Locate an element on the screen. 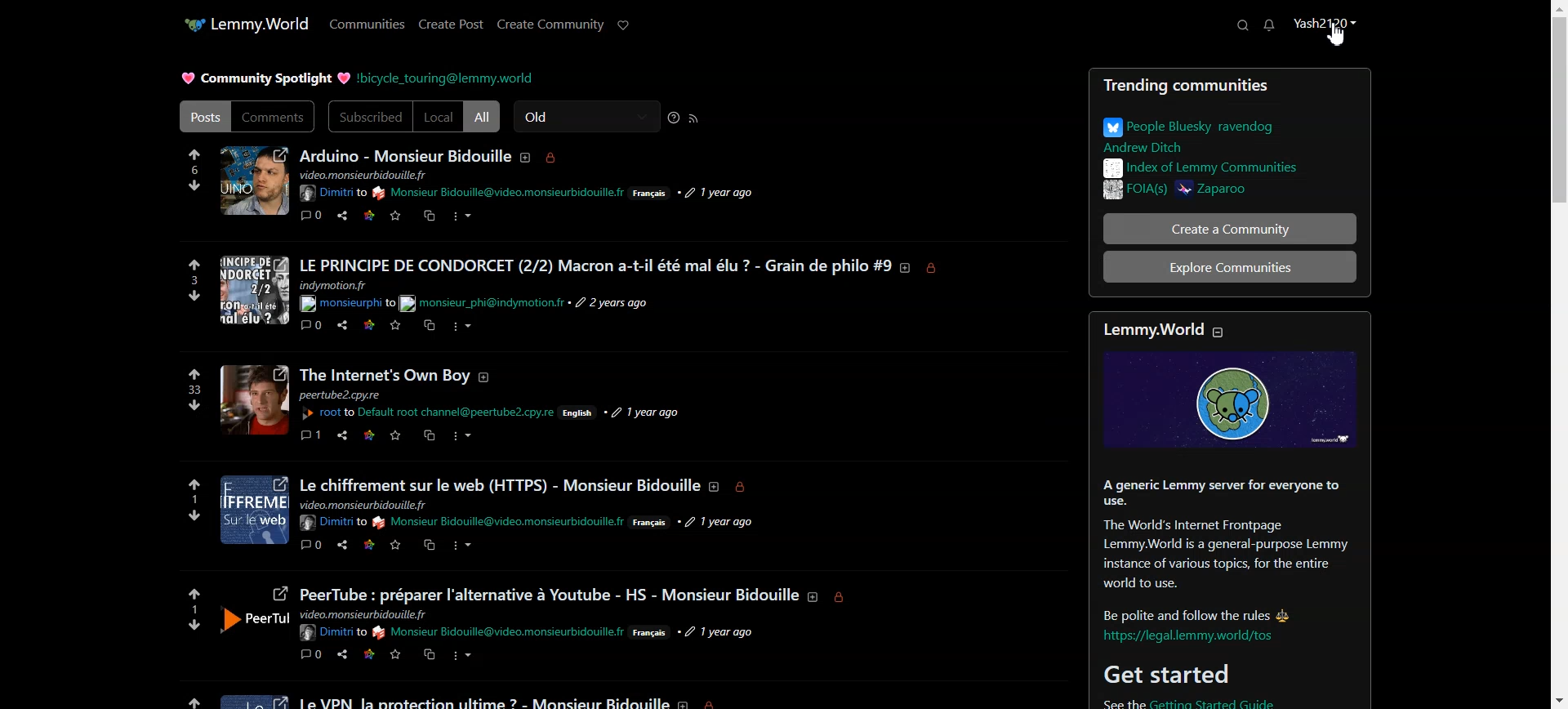  upvotes is located at coordinates (191, 481).